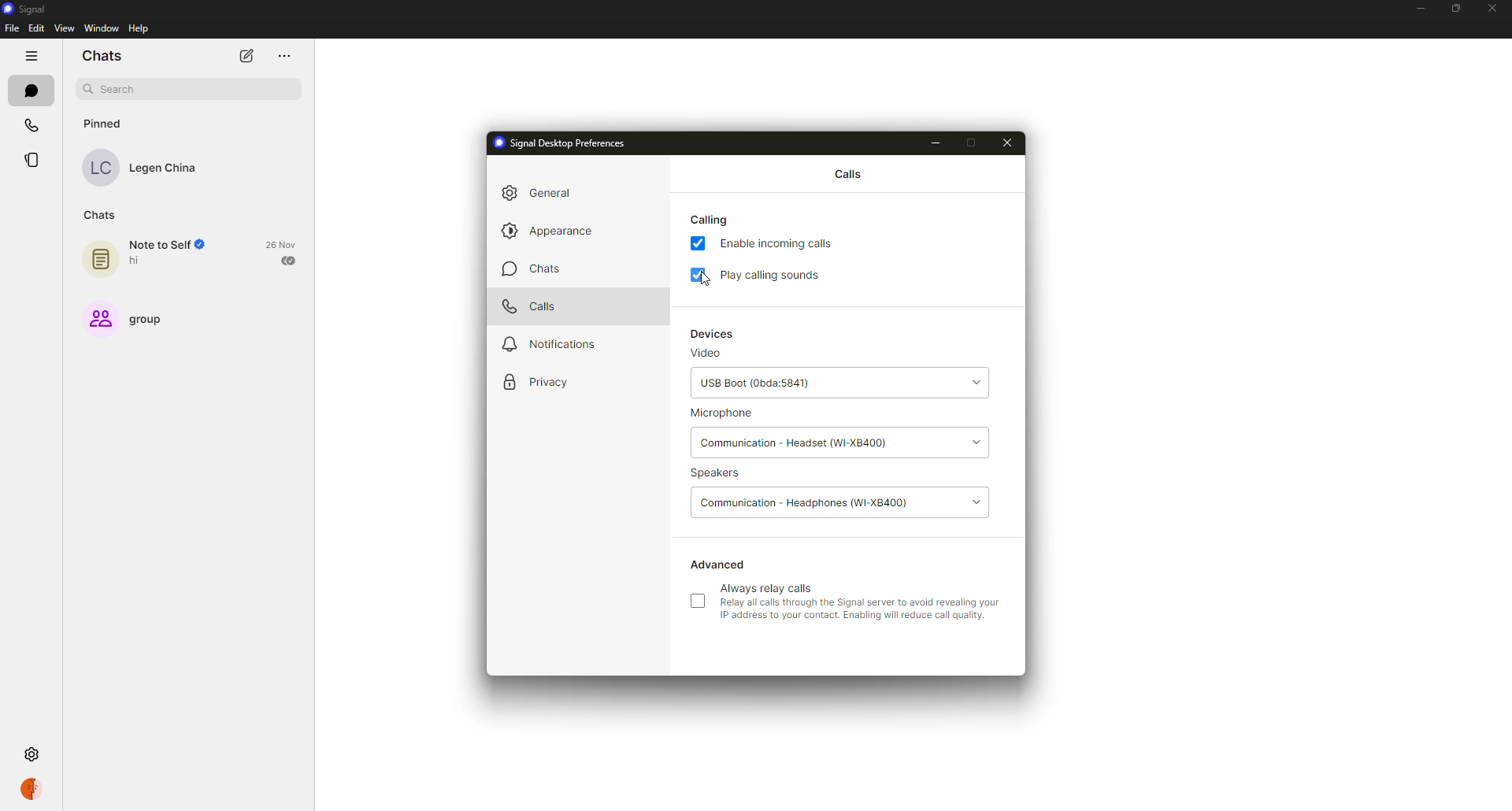  Describe the element at coordinates (158, 245) in the screenshot. I see `Note to Self` at that location.